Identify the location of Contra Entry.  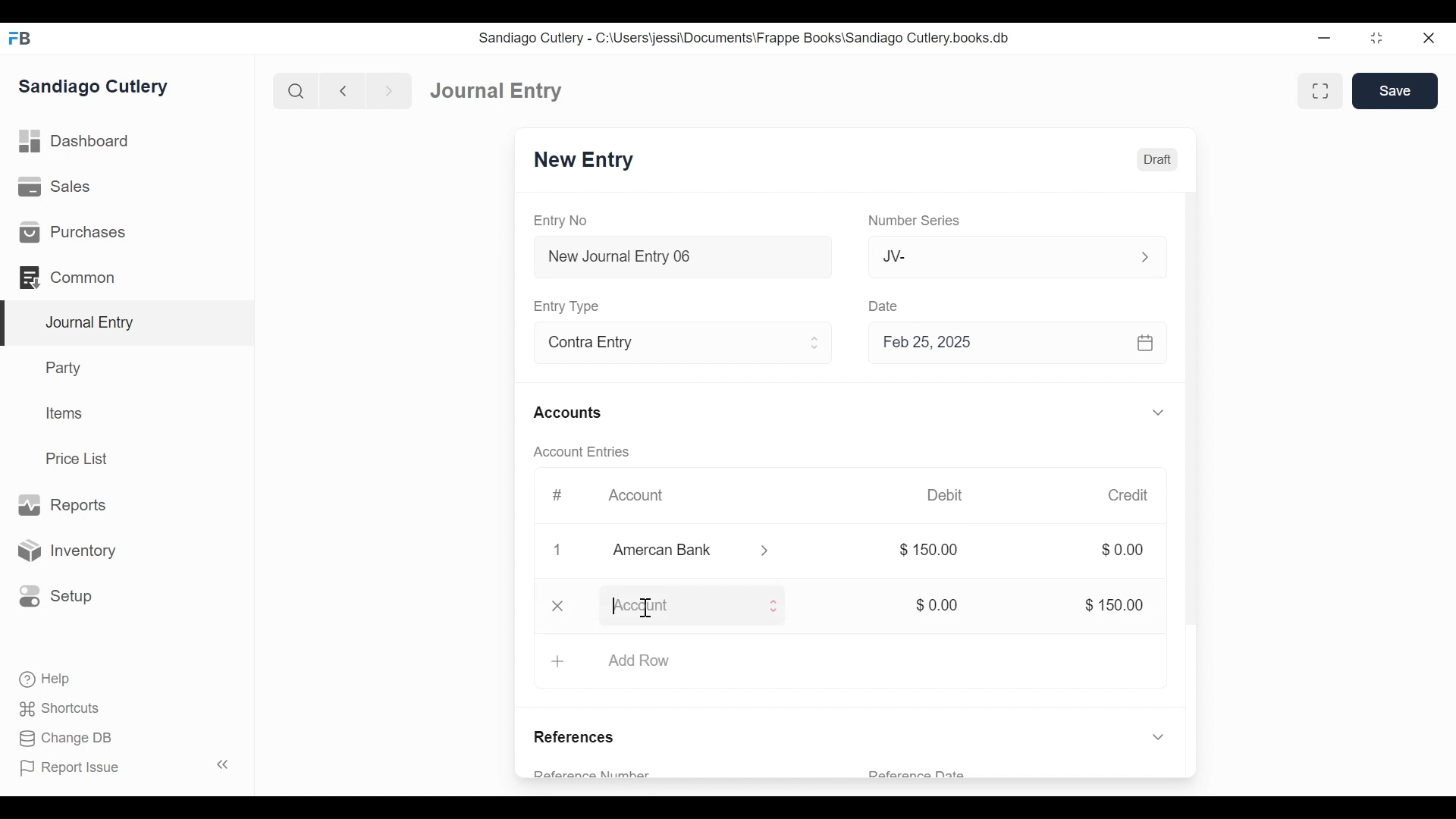
(658, 344).